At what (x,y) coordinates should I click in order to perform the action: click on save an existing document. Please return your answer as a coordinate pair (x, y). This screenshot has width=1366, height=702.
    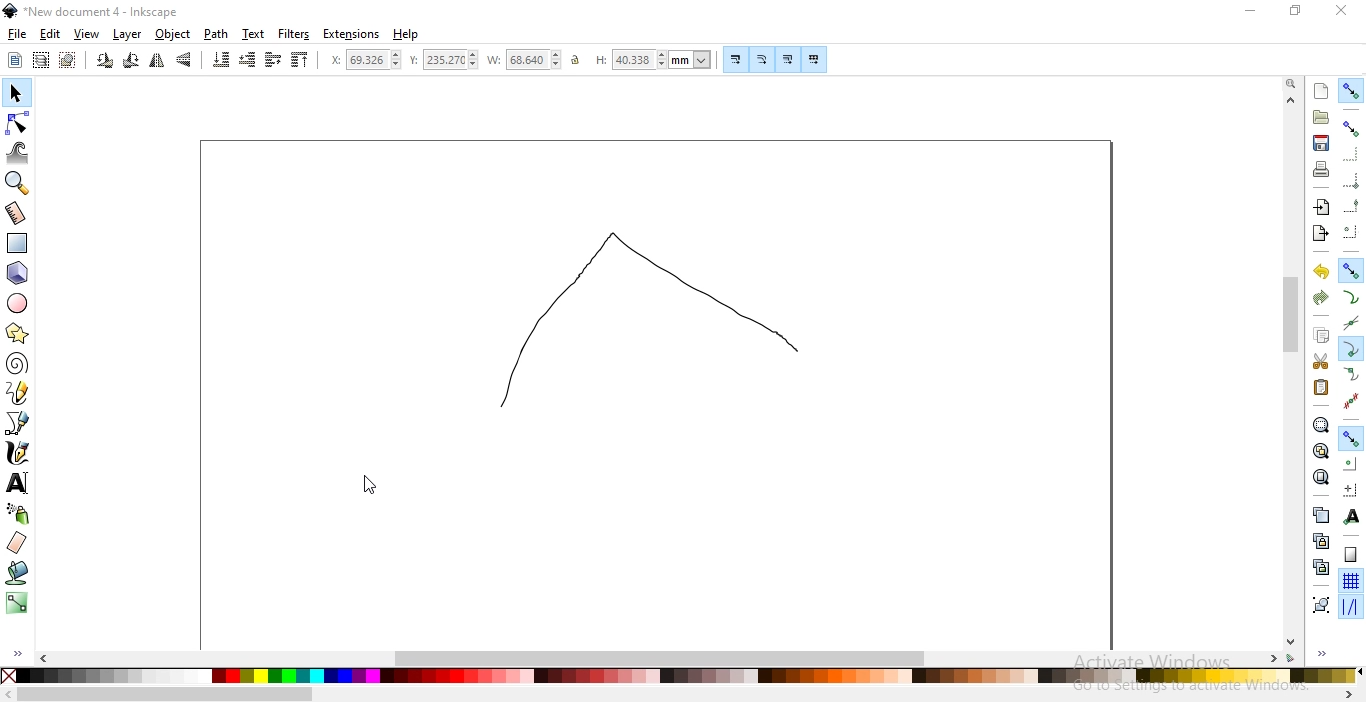
    Looking at the image, I should click on (1321, 142).